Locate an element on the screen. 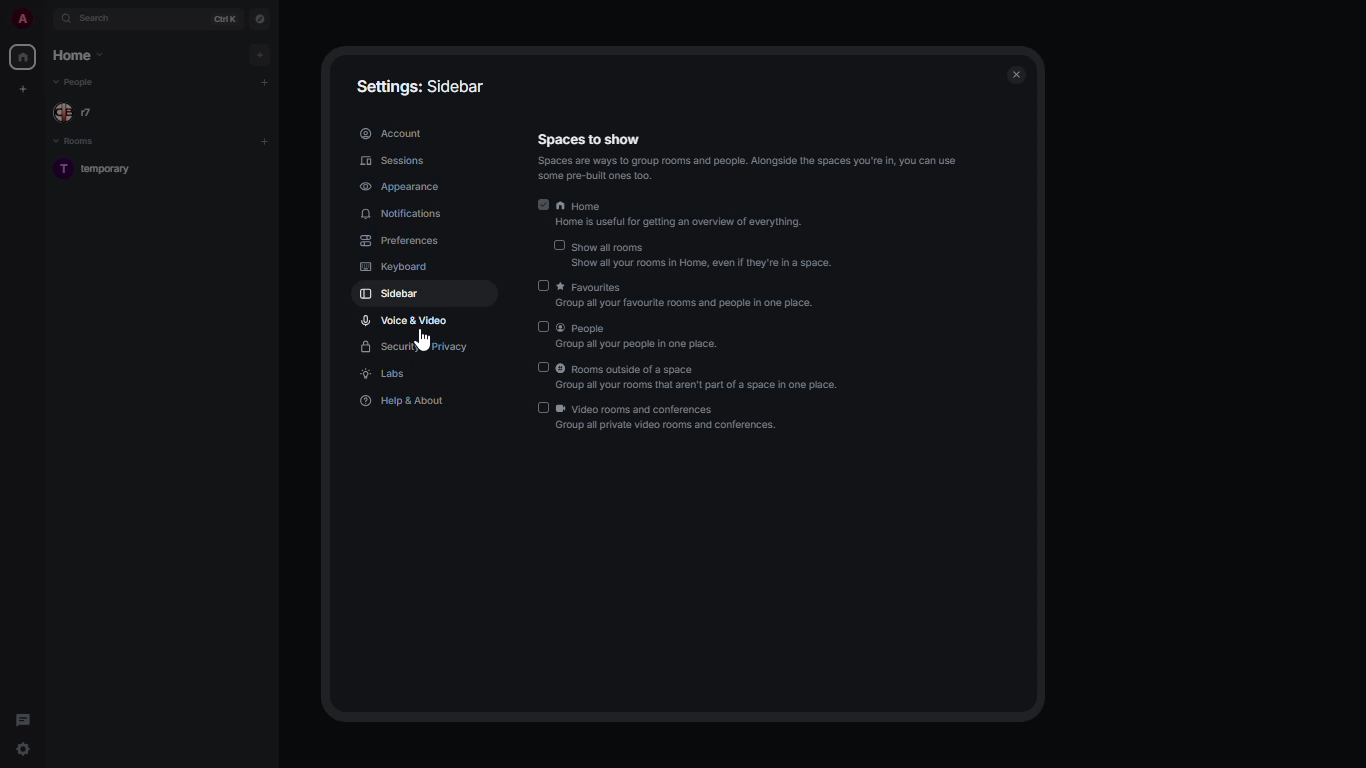 The width and height of the screenshot is (1366, 768). people is located at coordinates (642, 338).